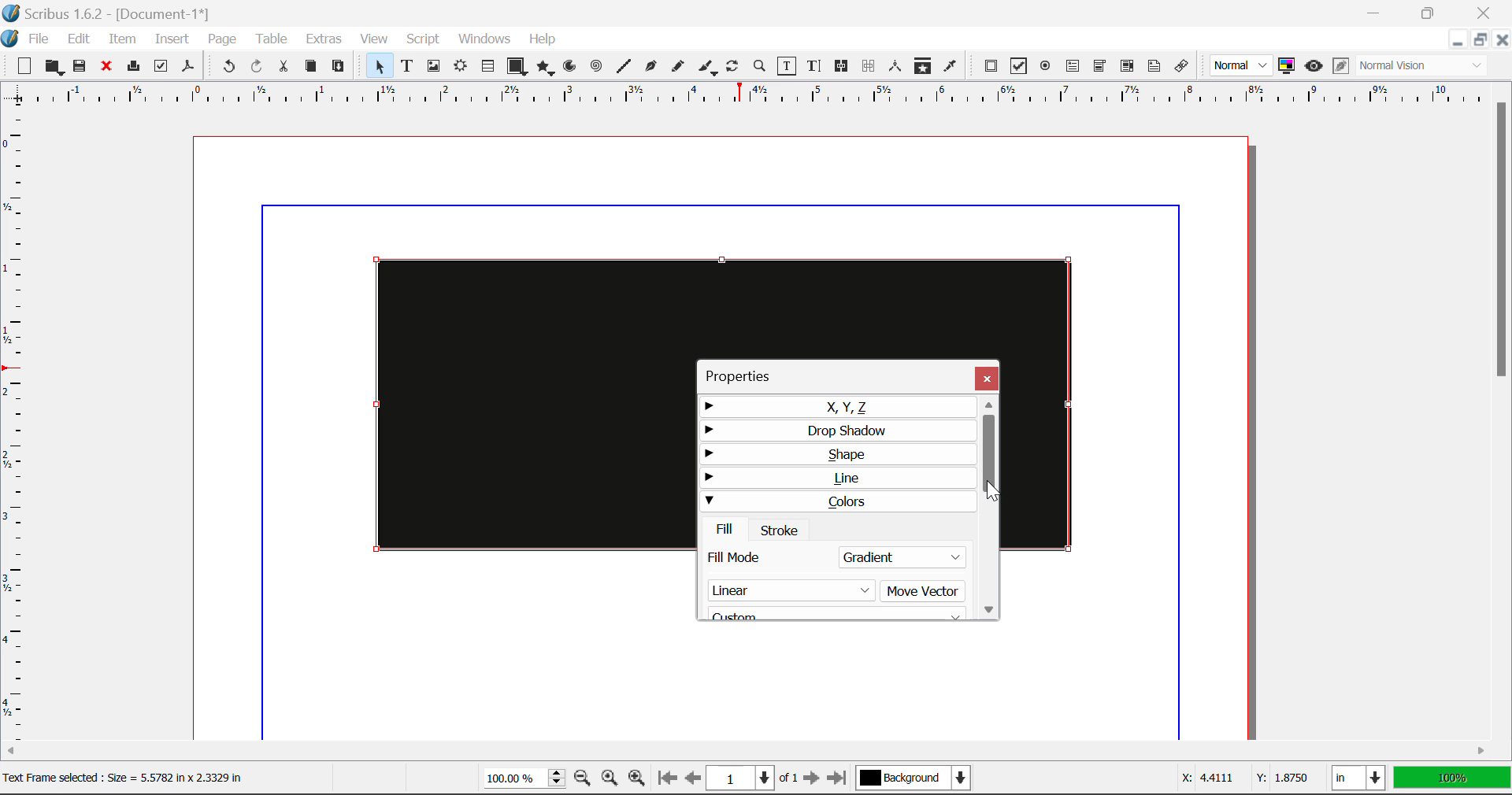 This screenshot has width=1512, height=795. What do you see at coordinates (839, 431) in the screenshot?
I see `Drop Shadow` at bounding box center [839, 431].